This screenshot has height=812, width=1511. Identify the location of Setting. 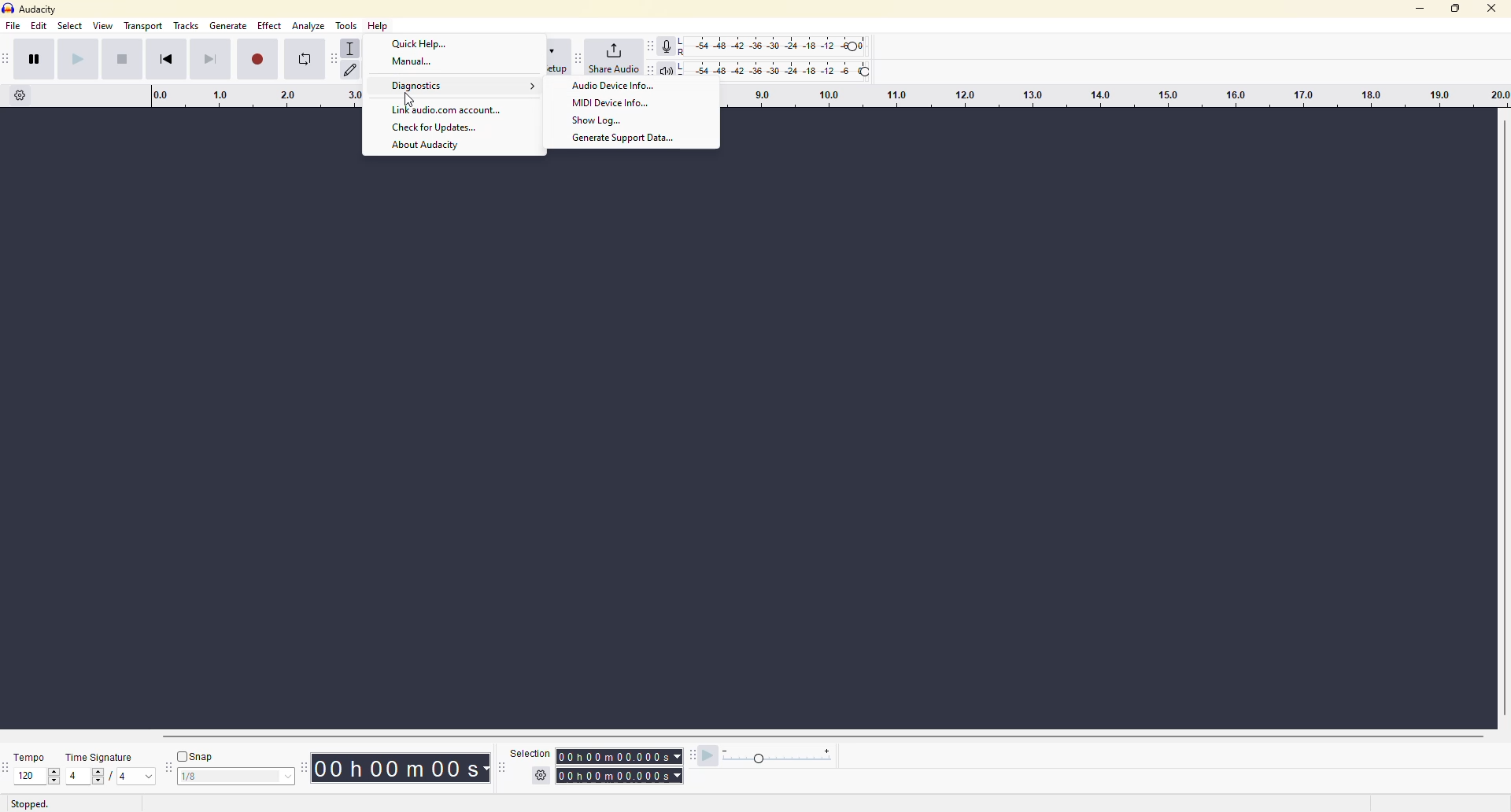
(20, 100).